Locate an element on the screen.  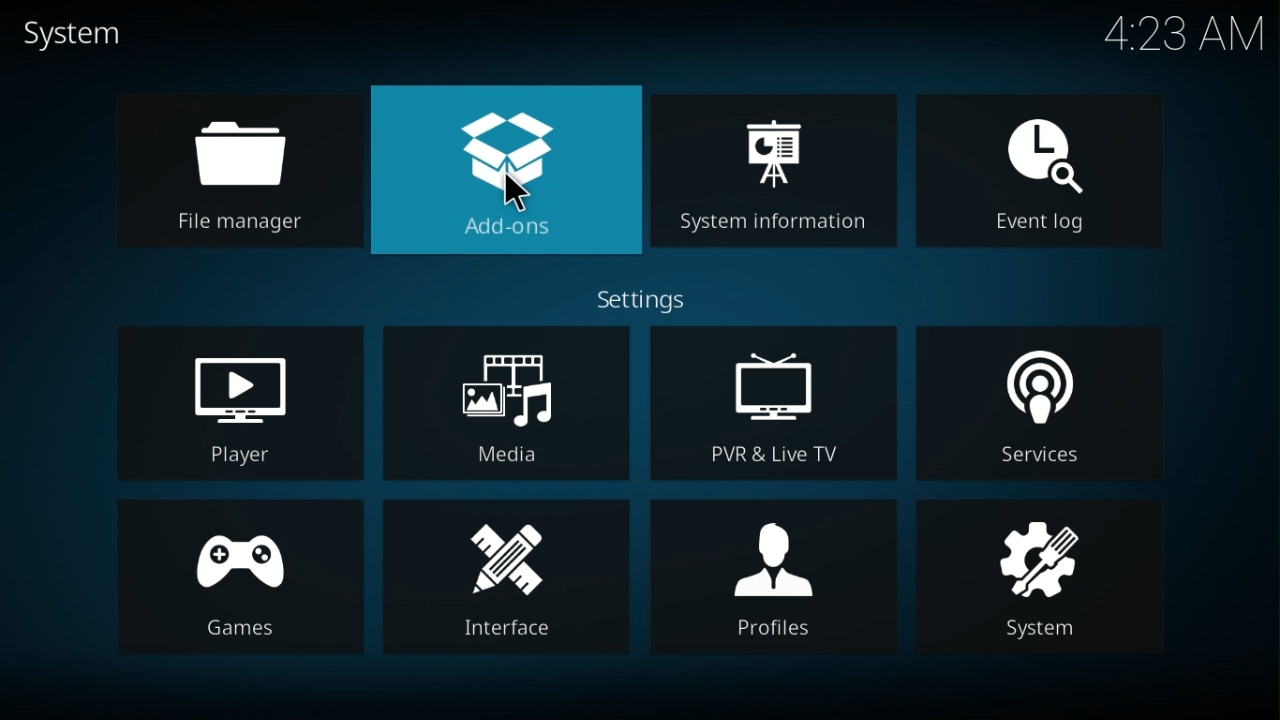
Services is located at coordinates (1038, 403).